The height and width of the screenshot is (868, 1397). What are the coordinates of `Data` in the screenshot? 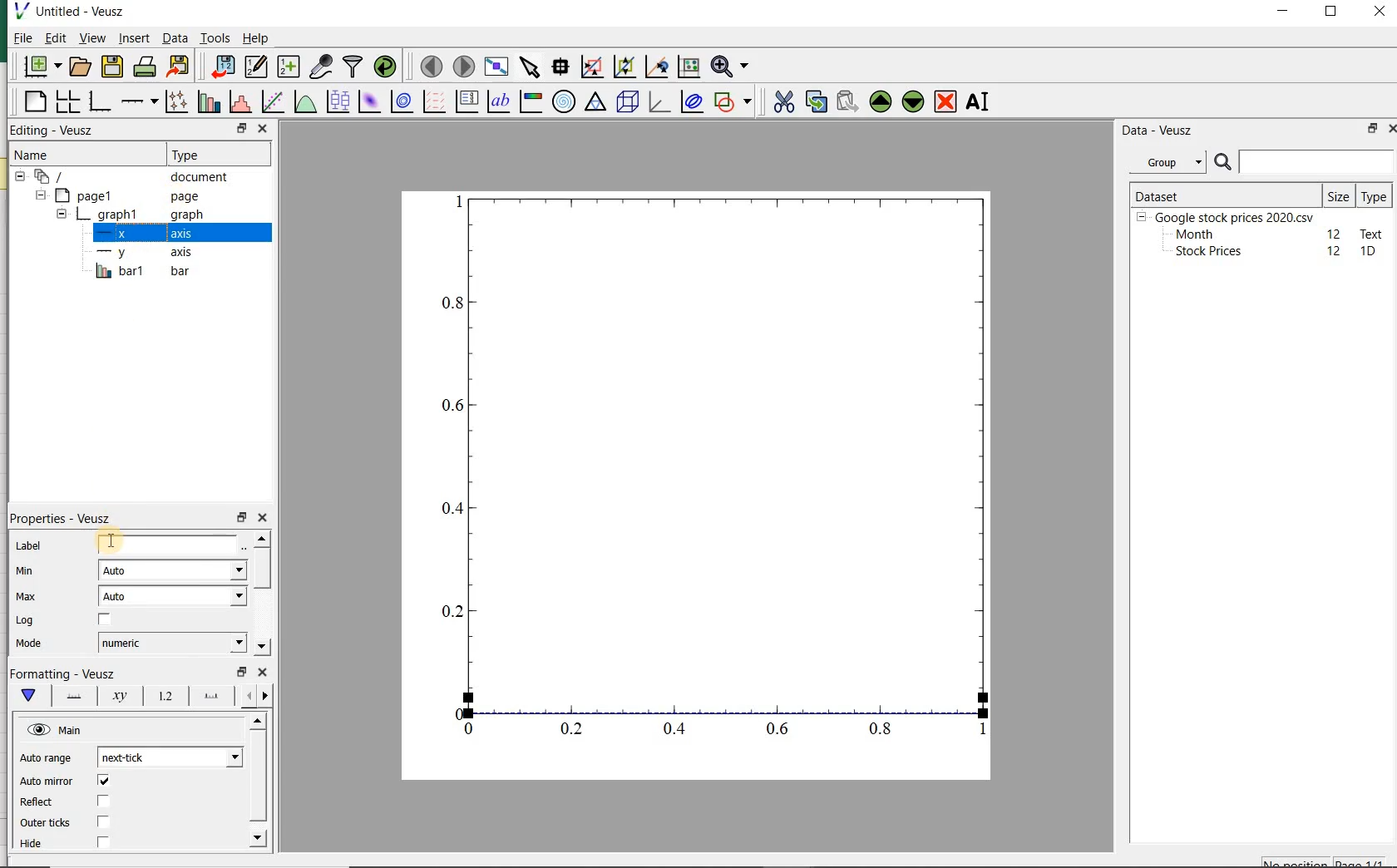 It's located at (175, 40).